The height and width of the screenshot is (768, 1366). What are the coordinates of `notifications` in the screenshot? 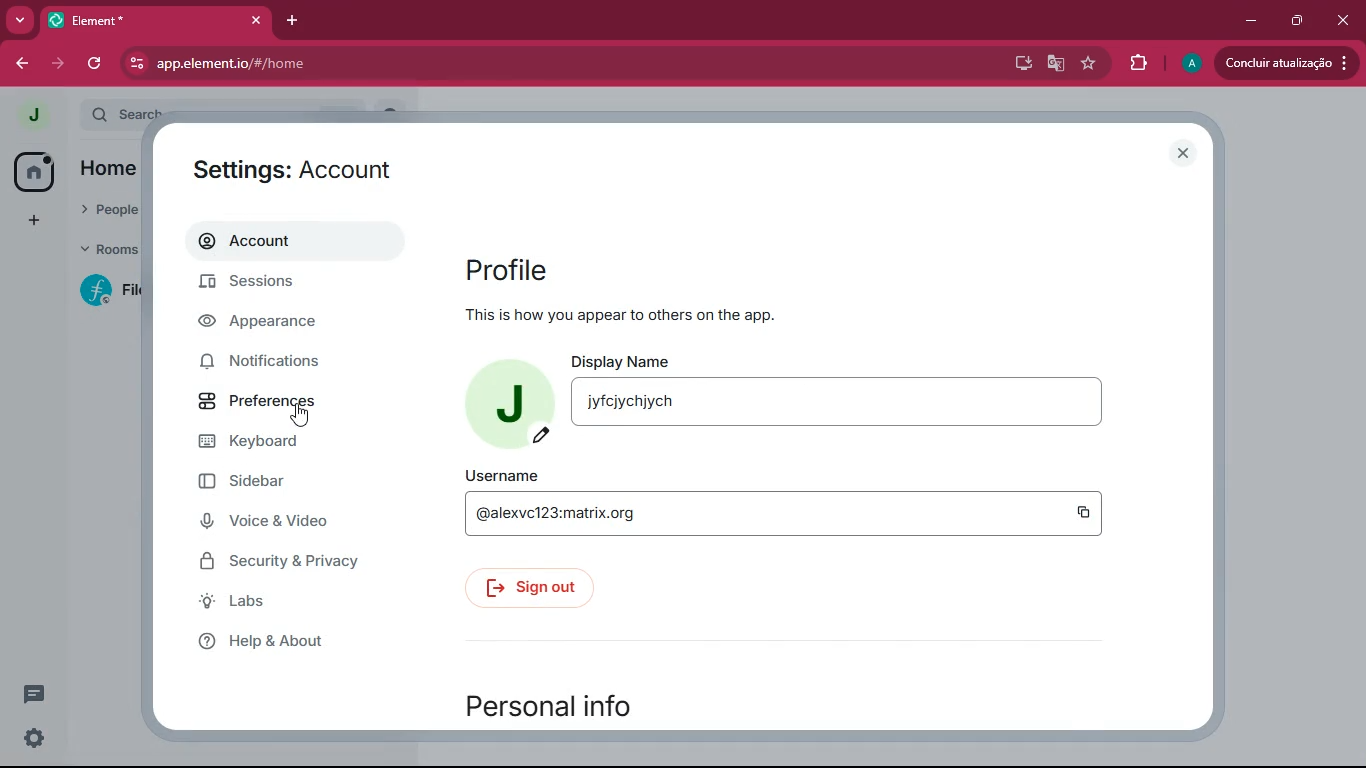 It's located at (272, 364).